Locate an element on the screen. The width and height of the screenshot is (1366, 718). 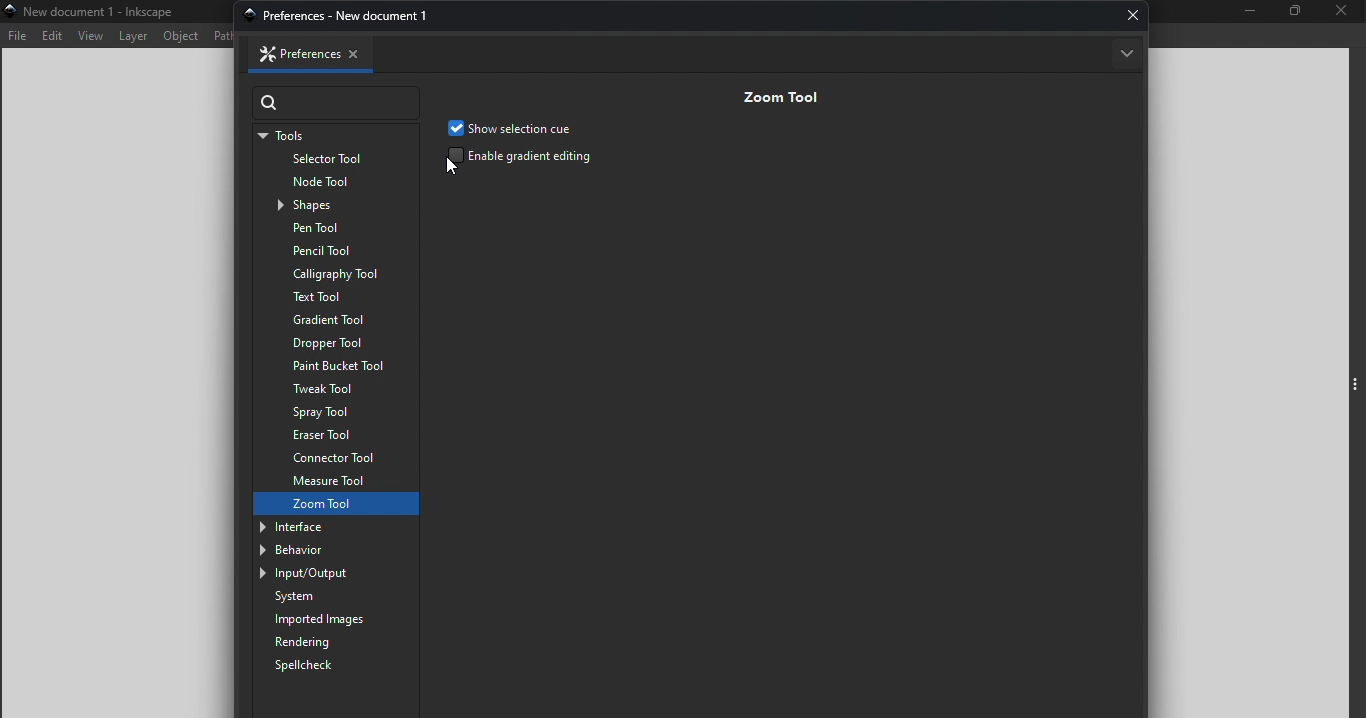
Interface is located at coordinates (306, 526).